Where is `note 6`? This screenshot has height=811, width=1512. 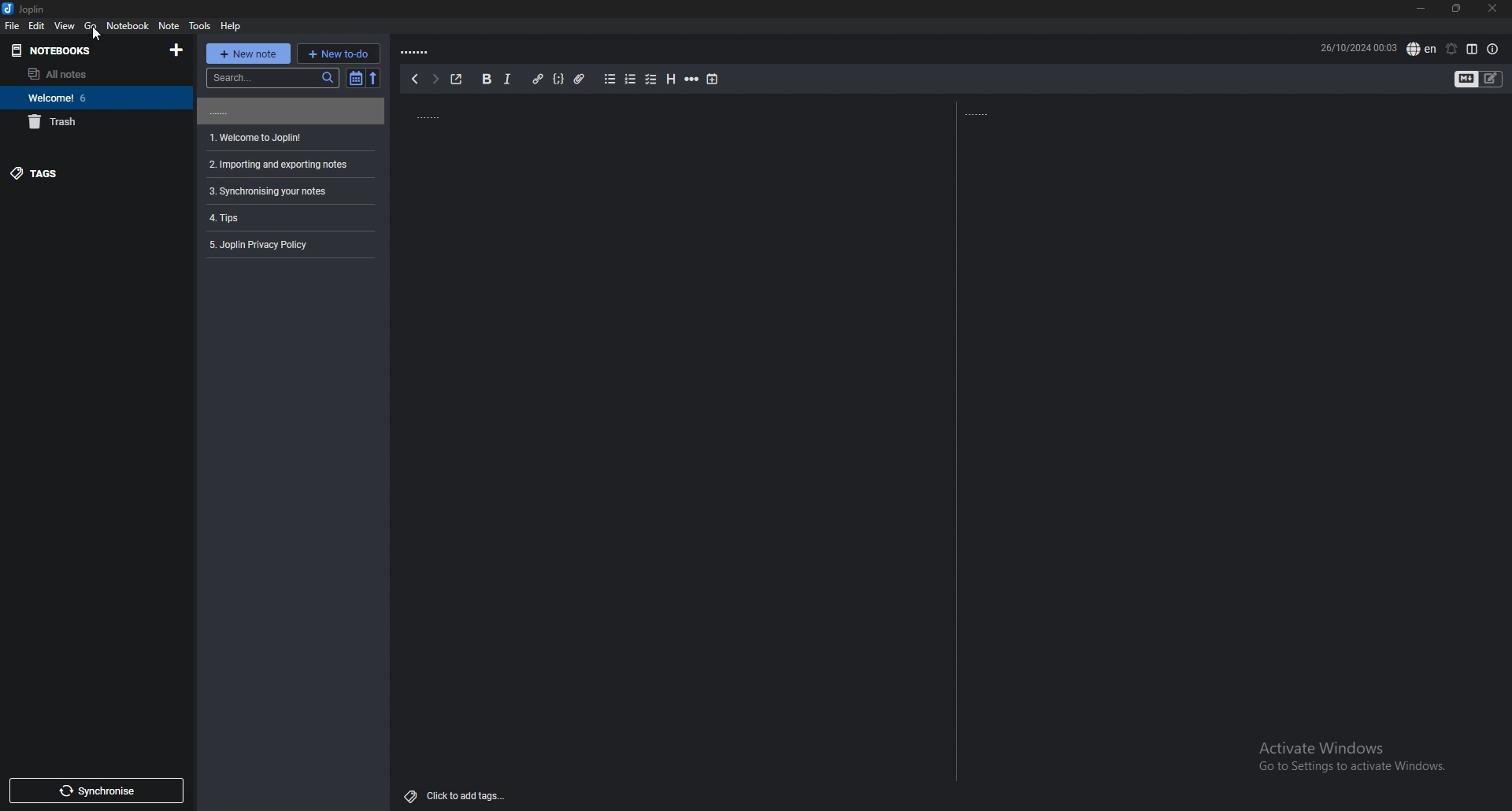 note 6 is located at coordinates (287, 243).